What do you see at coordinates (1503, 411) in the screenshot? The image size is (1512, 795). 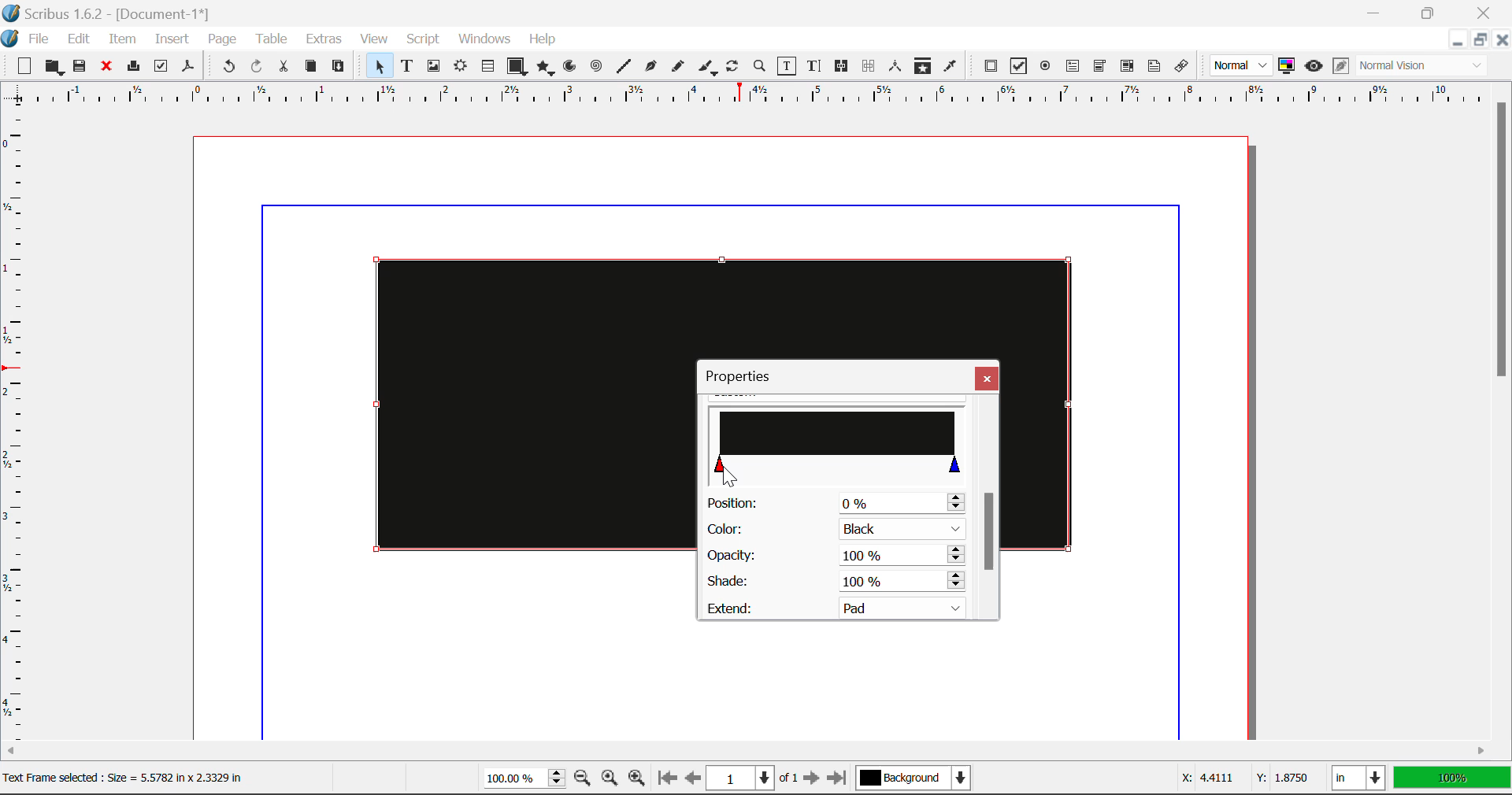 I see `Scroll Bar` at bounding box center [1503, 411].